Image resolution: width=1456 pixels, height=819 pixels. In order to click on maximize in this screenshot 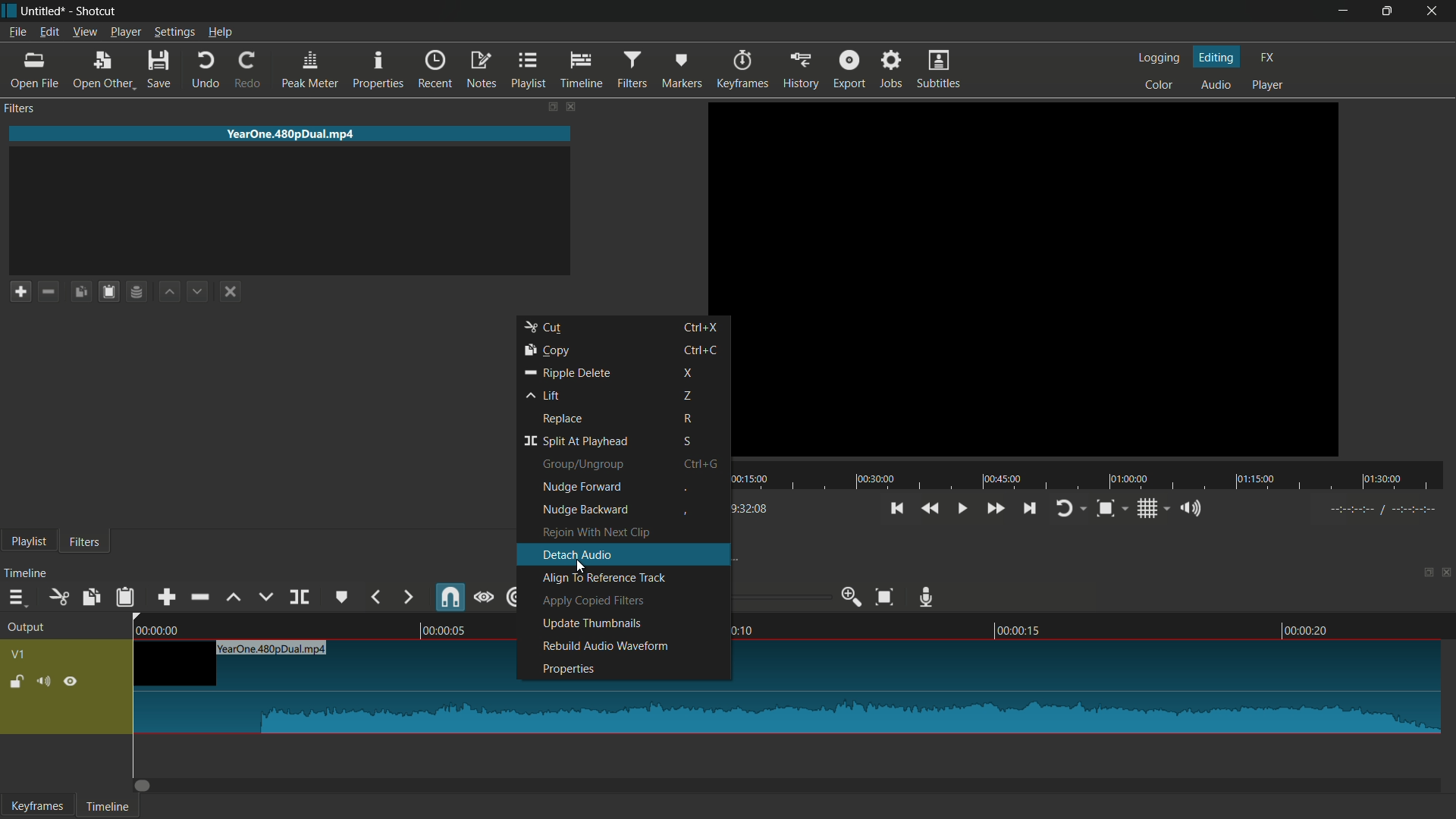, I will do `click(1387, 11)`.